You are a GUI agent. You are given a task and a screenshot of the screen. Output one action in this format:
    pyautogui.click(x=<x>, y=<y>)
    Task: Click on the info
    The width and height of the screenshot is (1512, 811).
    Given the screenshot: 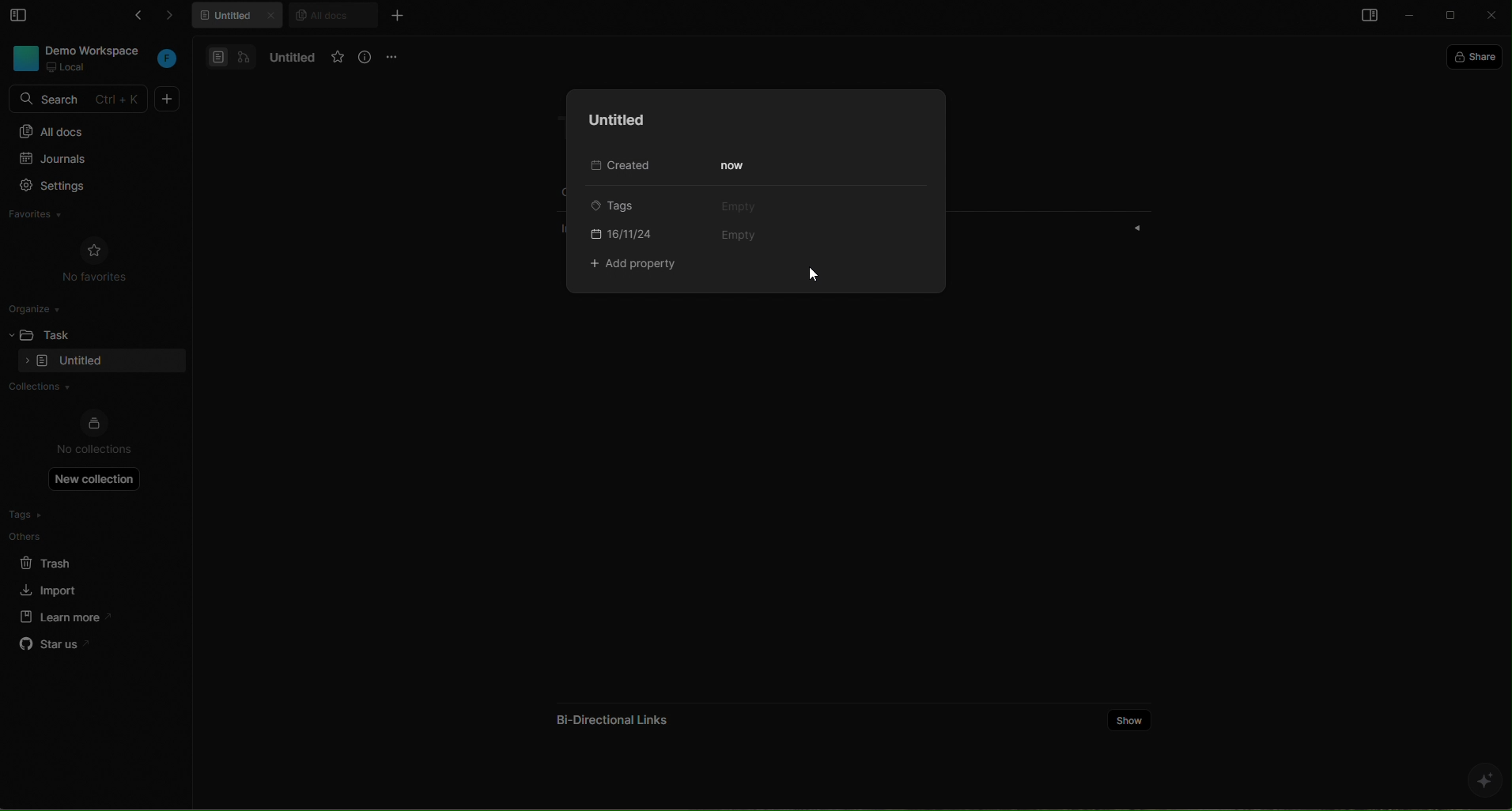 What is the action you would take?
    pyautogui.click(x=366, y=58)
    